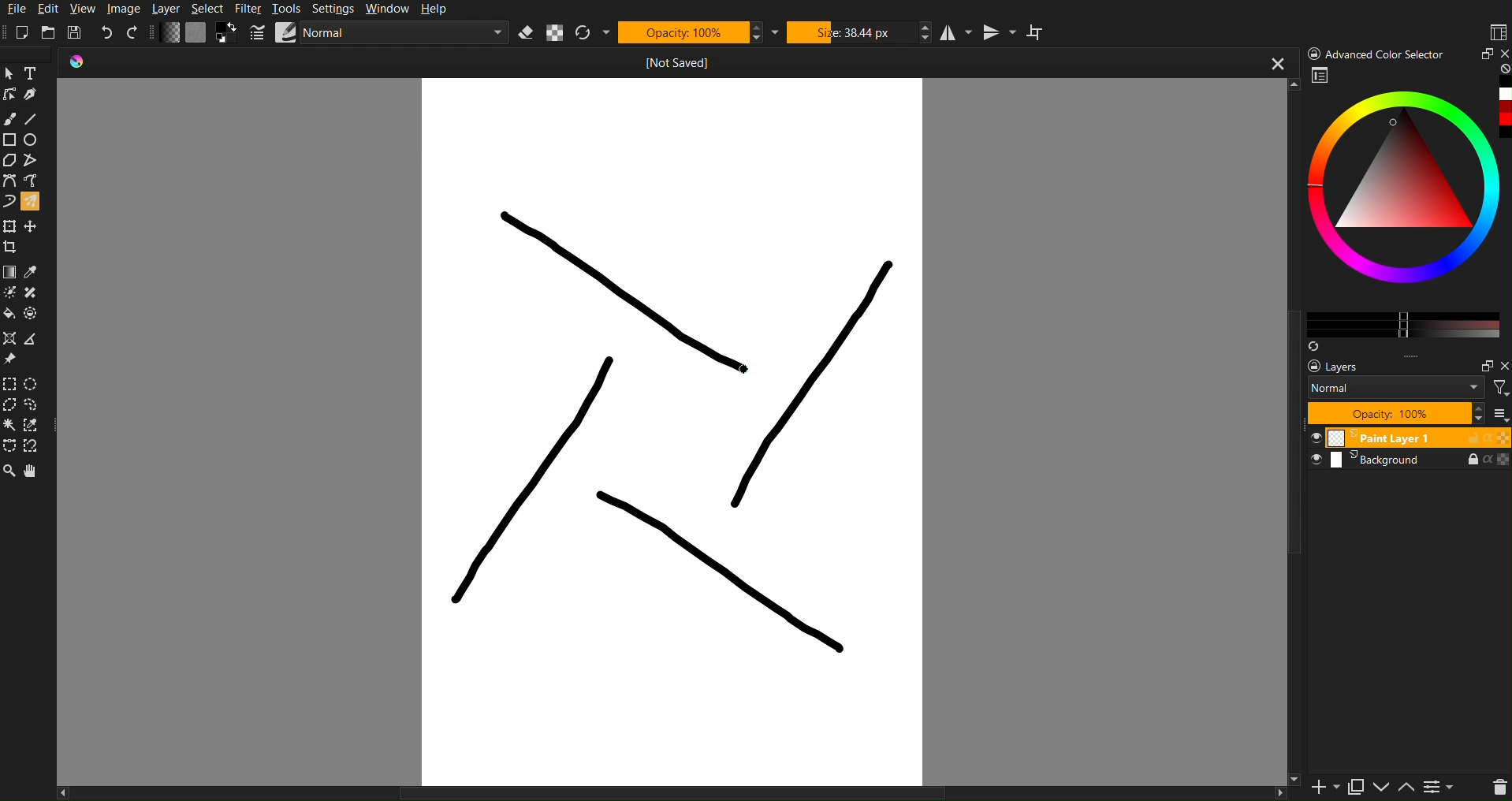 The height and width of the screenshot is (801, 1512). I want to click on Brush Options, so click(407, 35).